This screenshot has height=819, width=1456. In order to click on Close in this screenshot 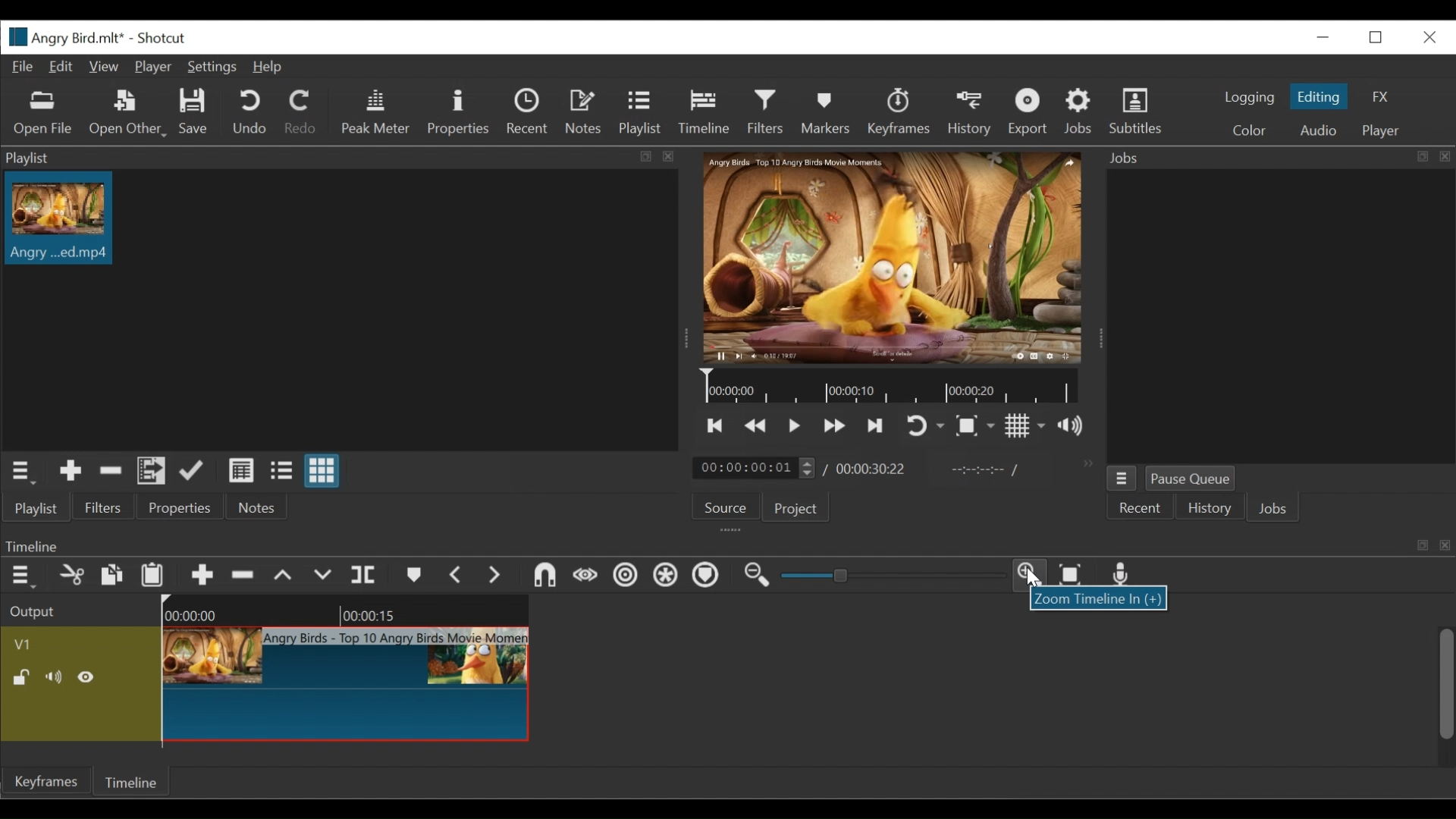, I will do `click(1427, 36)`.